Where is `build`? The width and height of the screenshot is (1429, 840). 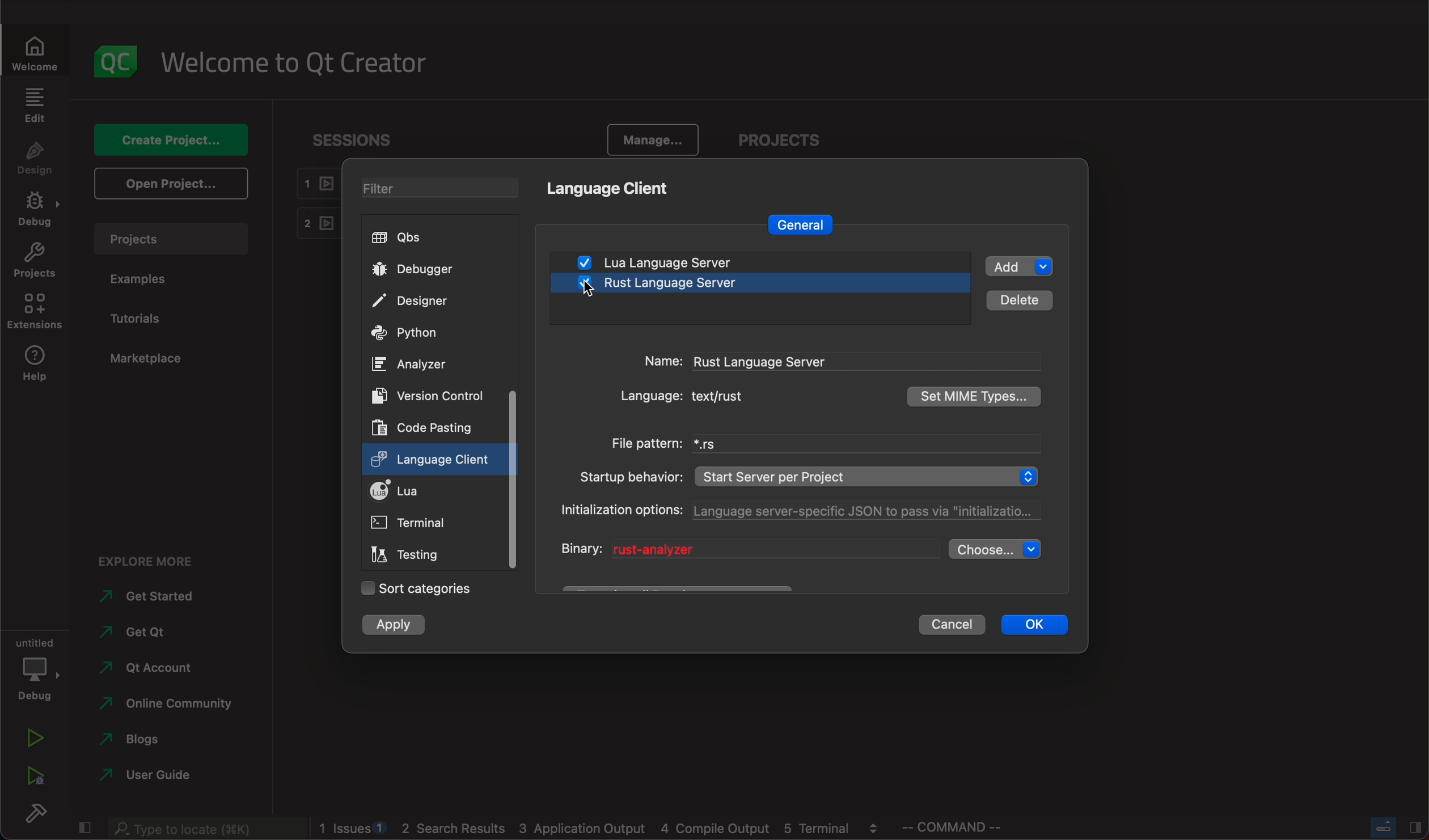 build is located at coordinates (40, 816).